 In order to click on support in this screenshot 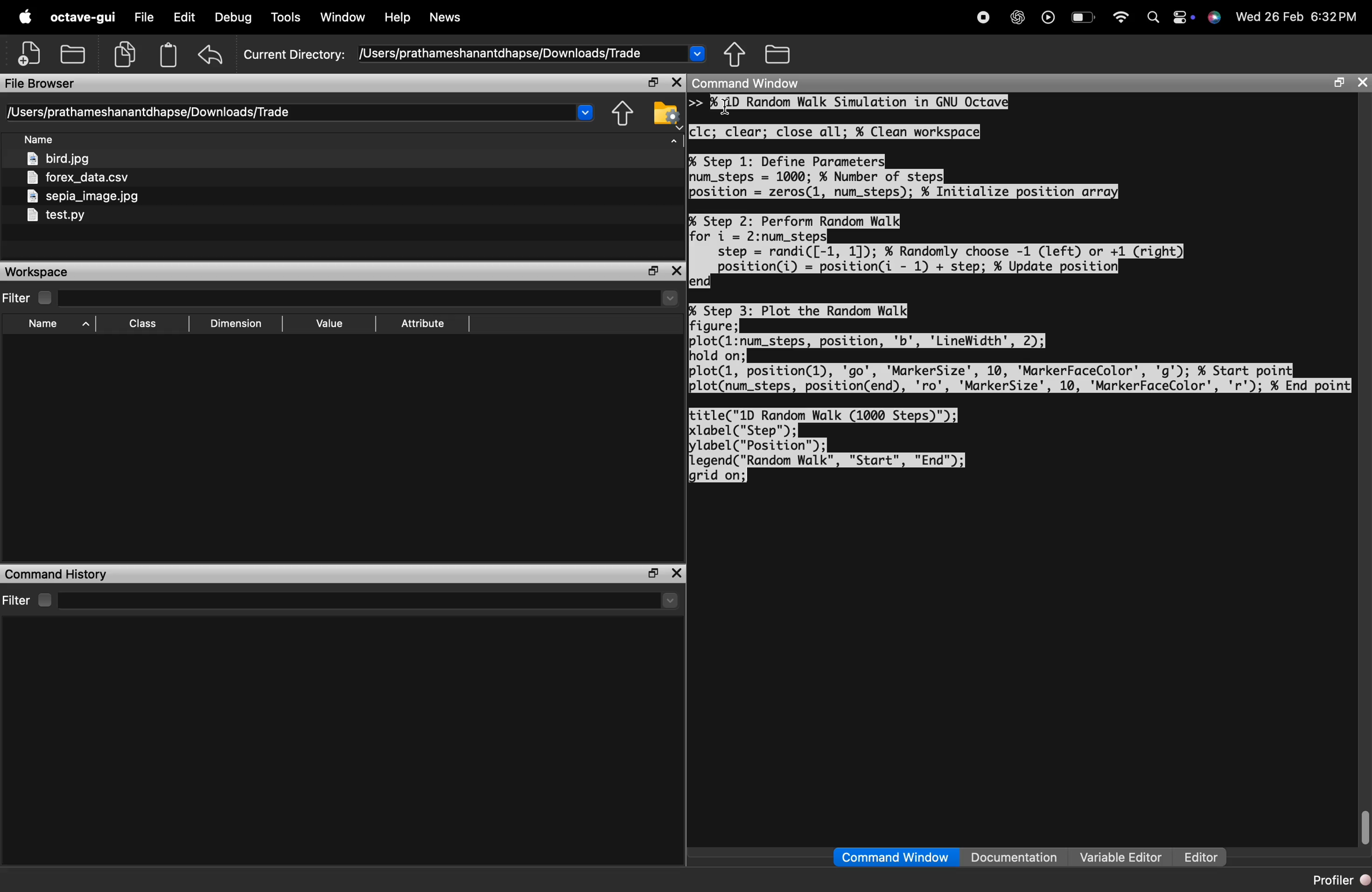, I will do `click(1216, 18)`.